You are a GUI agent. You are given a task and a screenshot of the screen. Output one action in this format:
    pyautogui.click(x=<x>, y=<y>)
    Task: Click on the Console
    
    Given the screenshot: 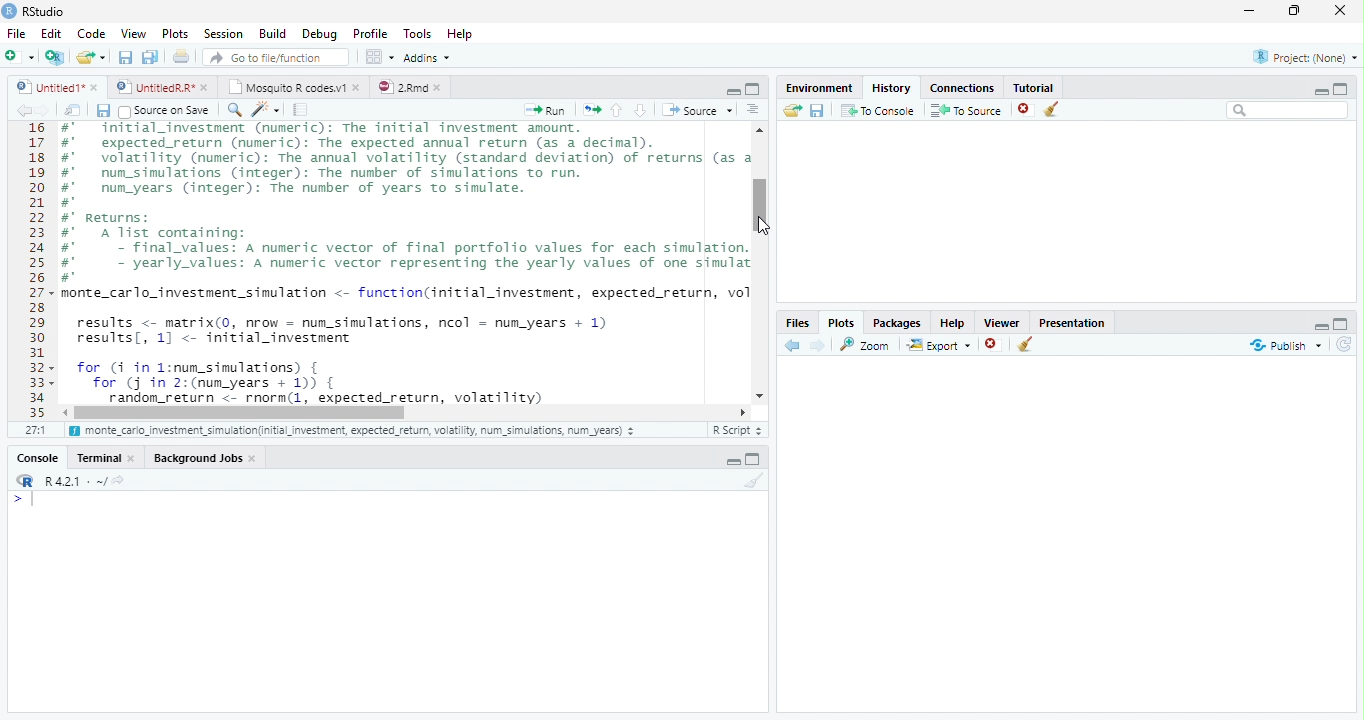 What is the action you would take?
    pyautogui.click(x=387, y=601)
    